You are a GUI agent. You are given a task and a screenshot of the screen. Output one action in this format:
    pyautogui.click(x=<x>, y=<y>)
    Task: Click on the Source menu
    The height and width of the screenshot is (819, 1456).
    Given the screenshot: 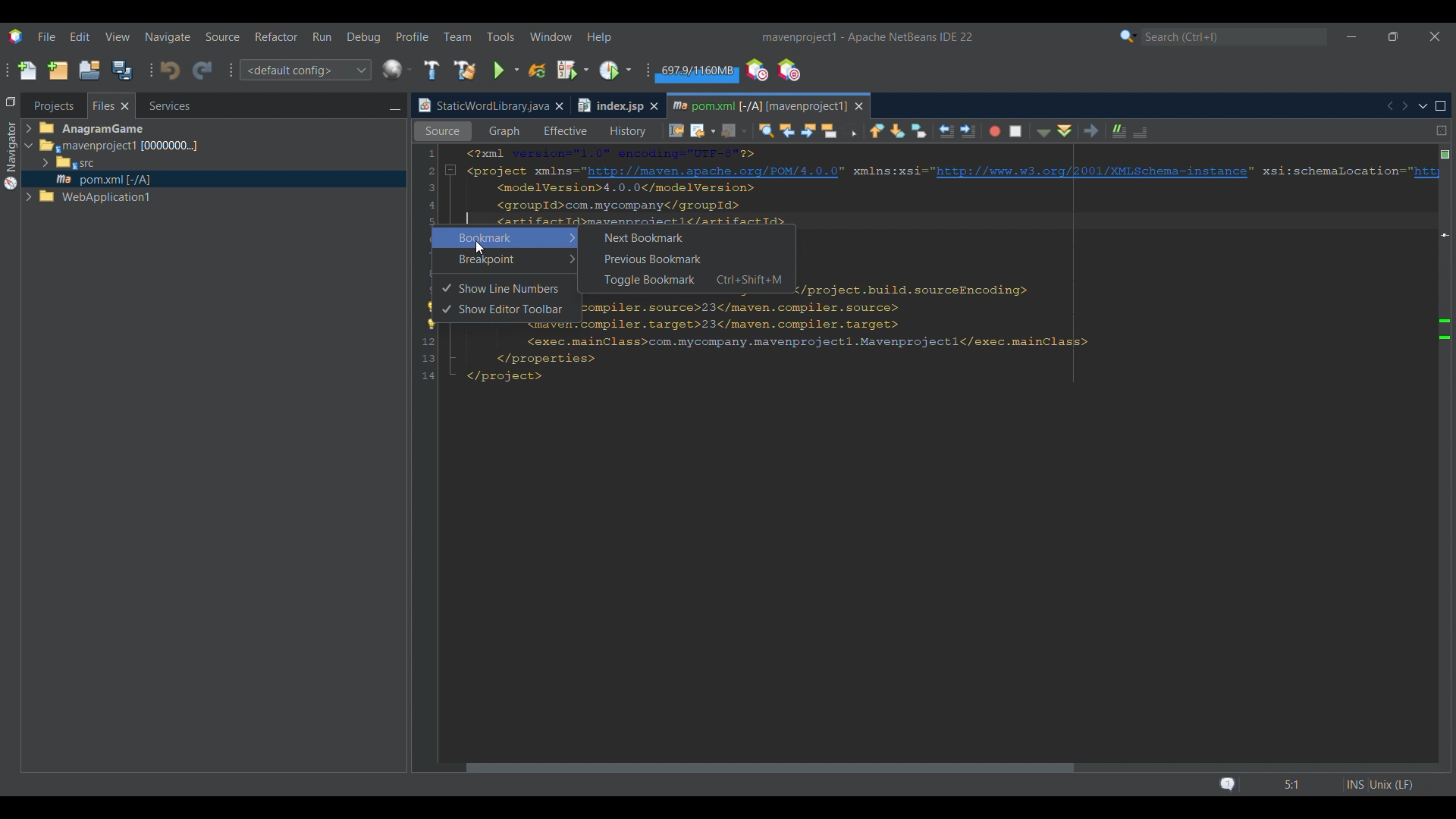 What is the action you would take?
    pyautogui.click(x=223, y=37)
    